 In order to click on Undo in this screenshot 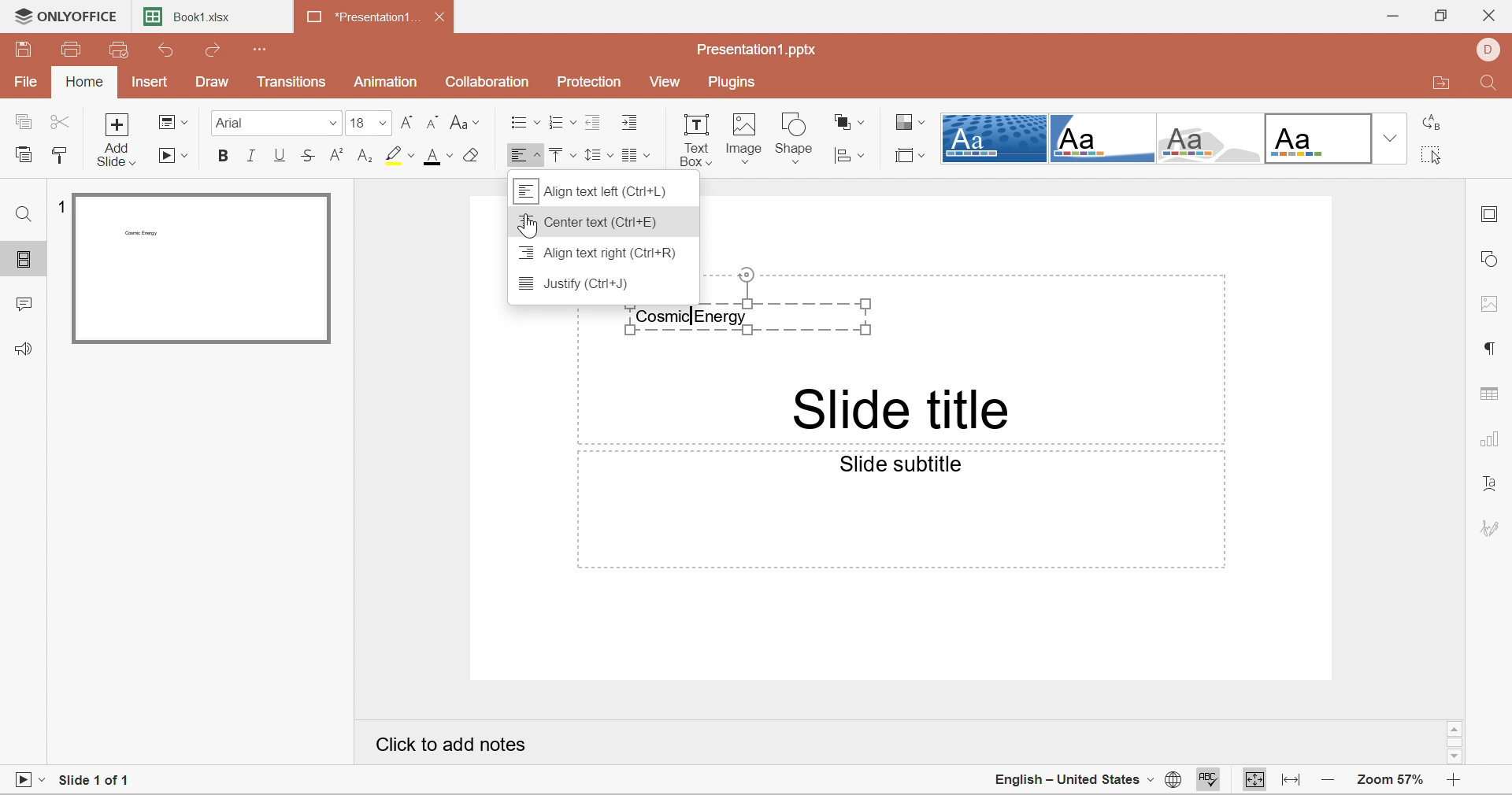, I will do `click(166, 50)`.